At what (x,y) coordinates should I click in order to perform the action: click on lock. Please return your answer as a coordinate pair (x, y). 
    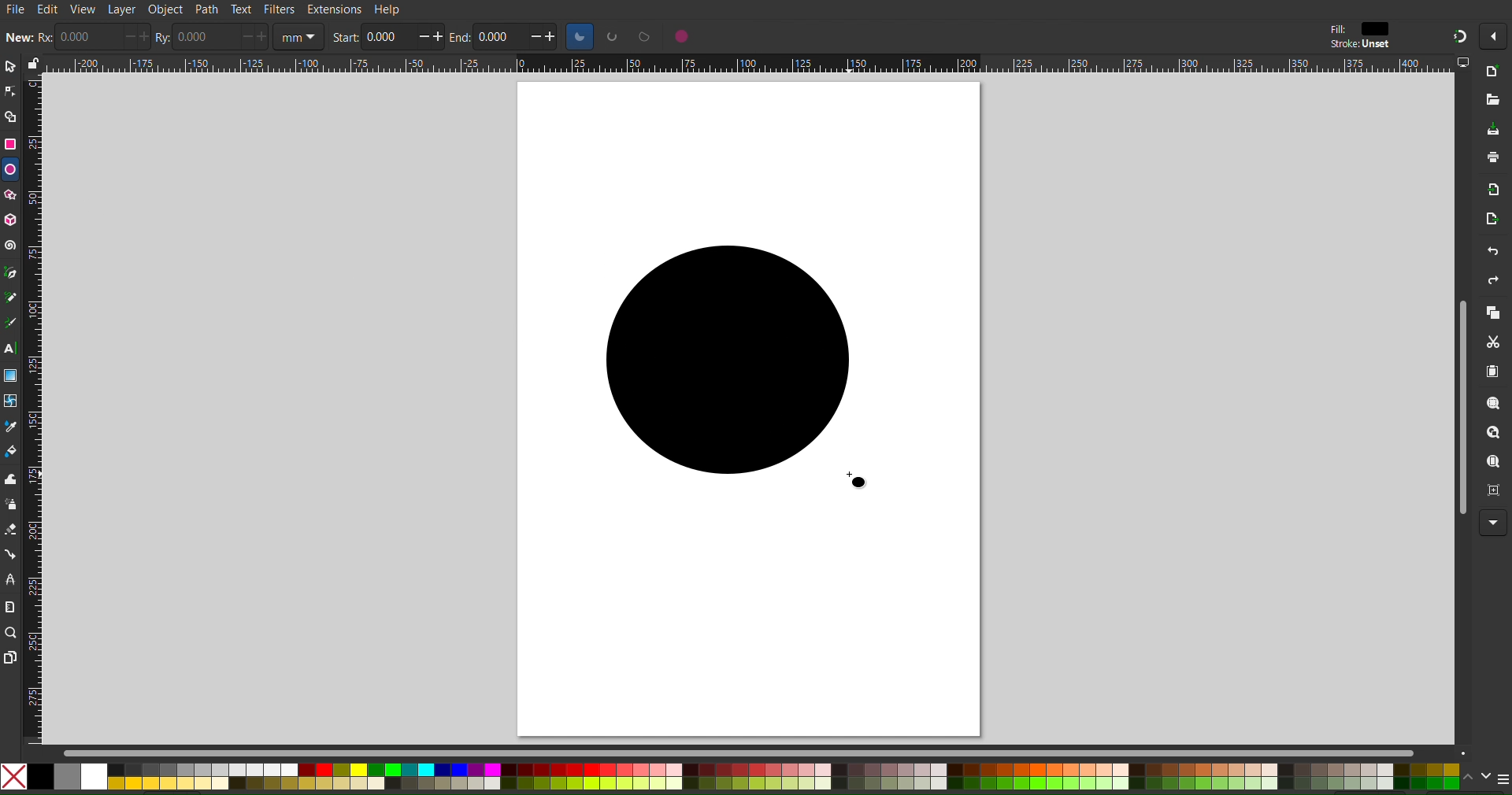
    Looking at the image, I should click on (32, 61).